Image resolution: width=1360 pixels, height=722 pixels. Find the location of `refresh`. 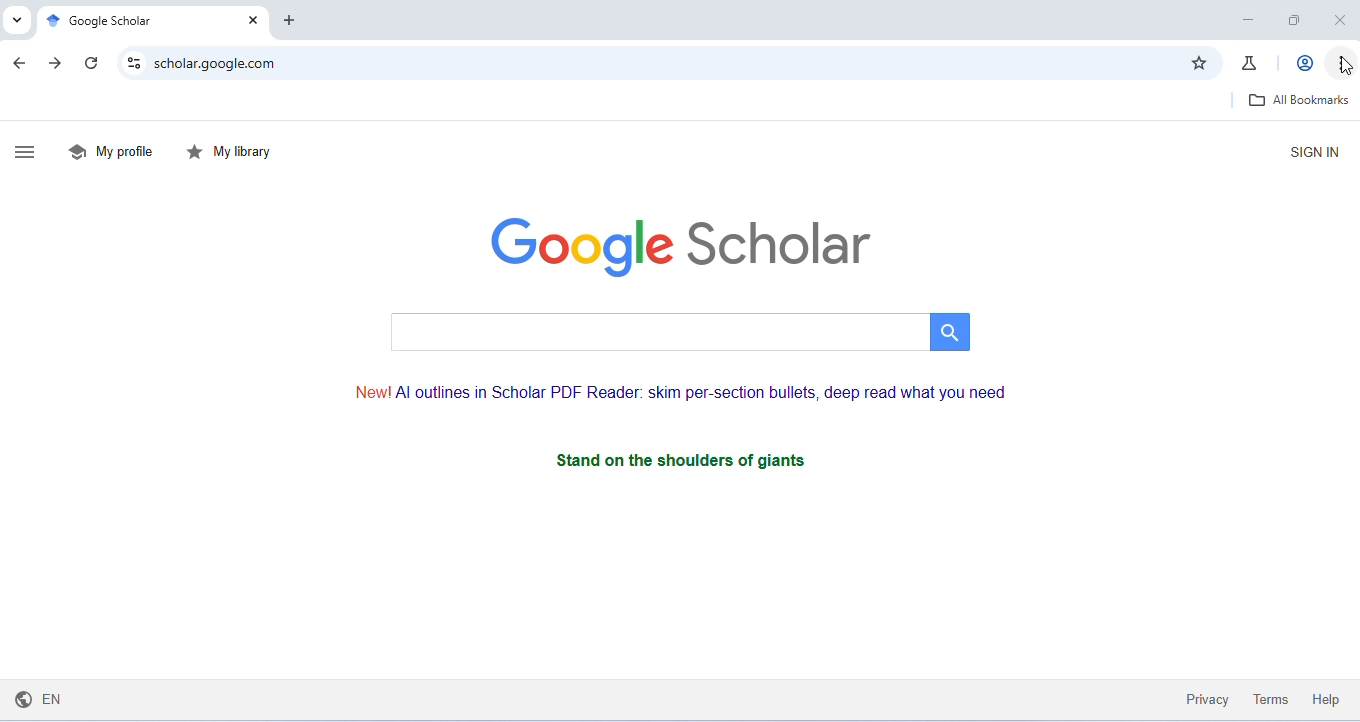

refresh is located at coordinates (91, 64).